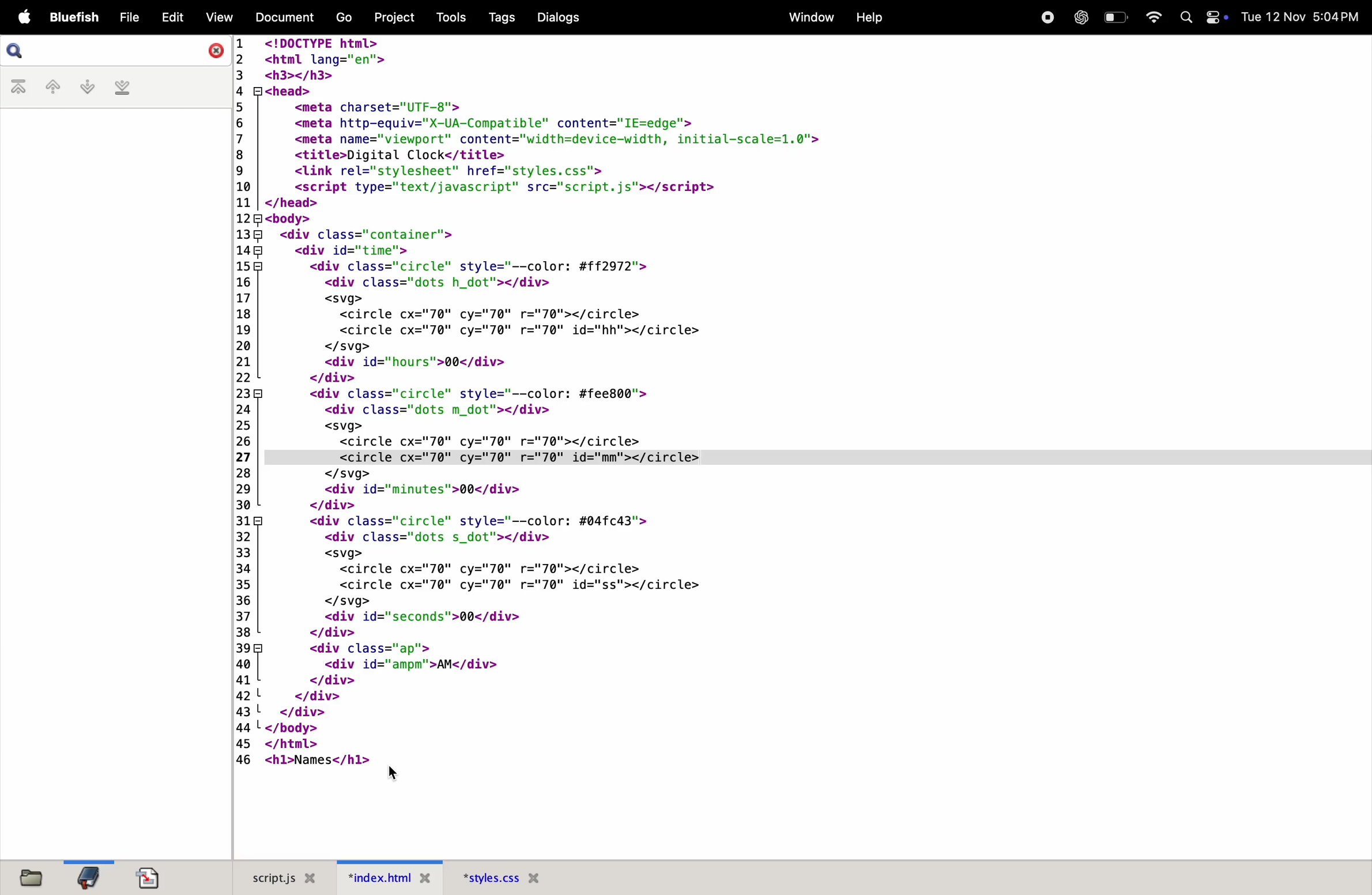 The image size is (1372, 895). What do you see at coordinates (282, 875) in the screenshot?
I see `script.js` at bounding box center [282, 875].